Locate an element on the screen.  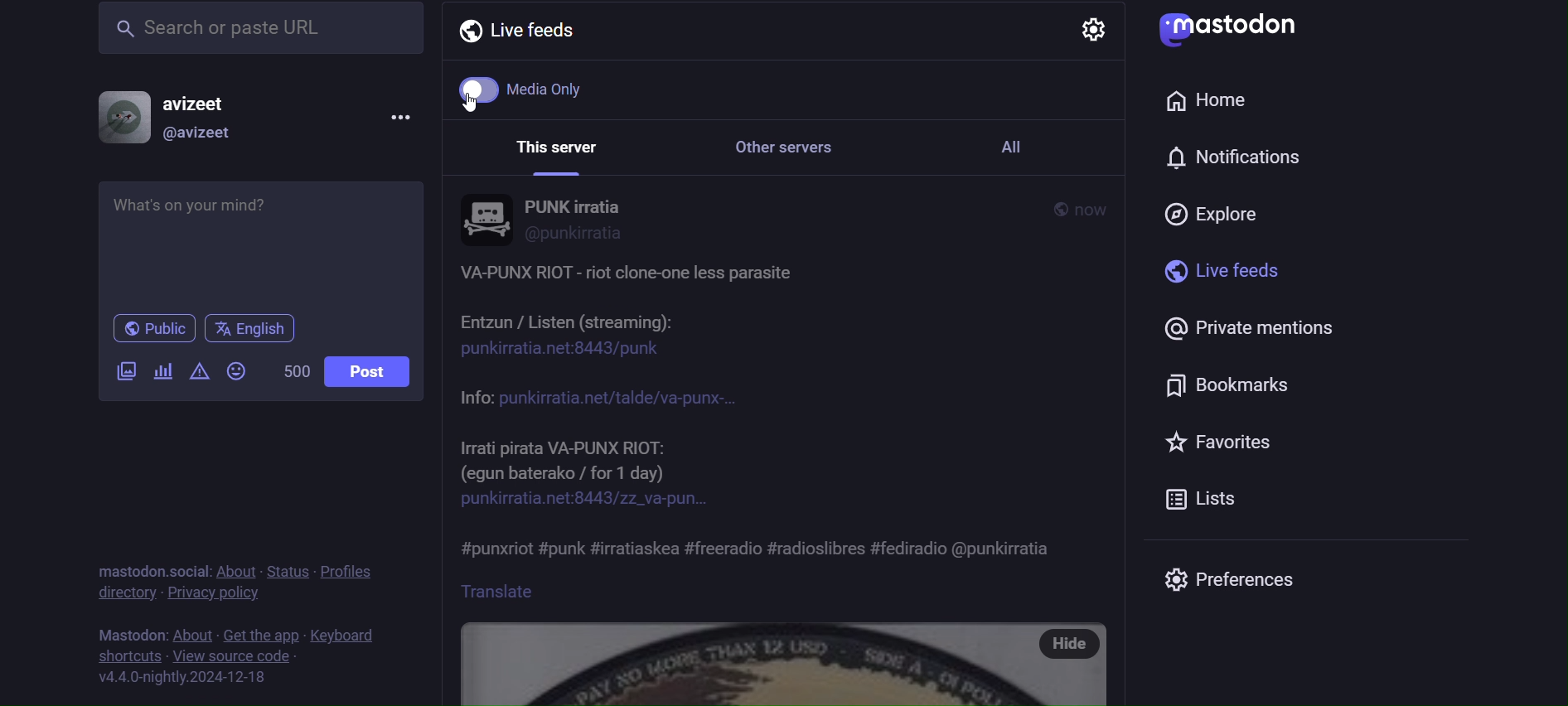
version is located at coordinates (179, 677).